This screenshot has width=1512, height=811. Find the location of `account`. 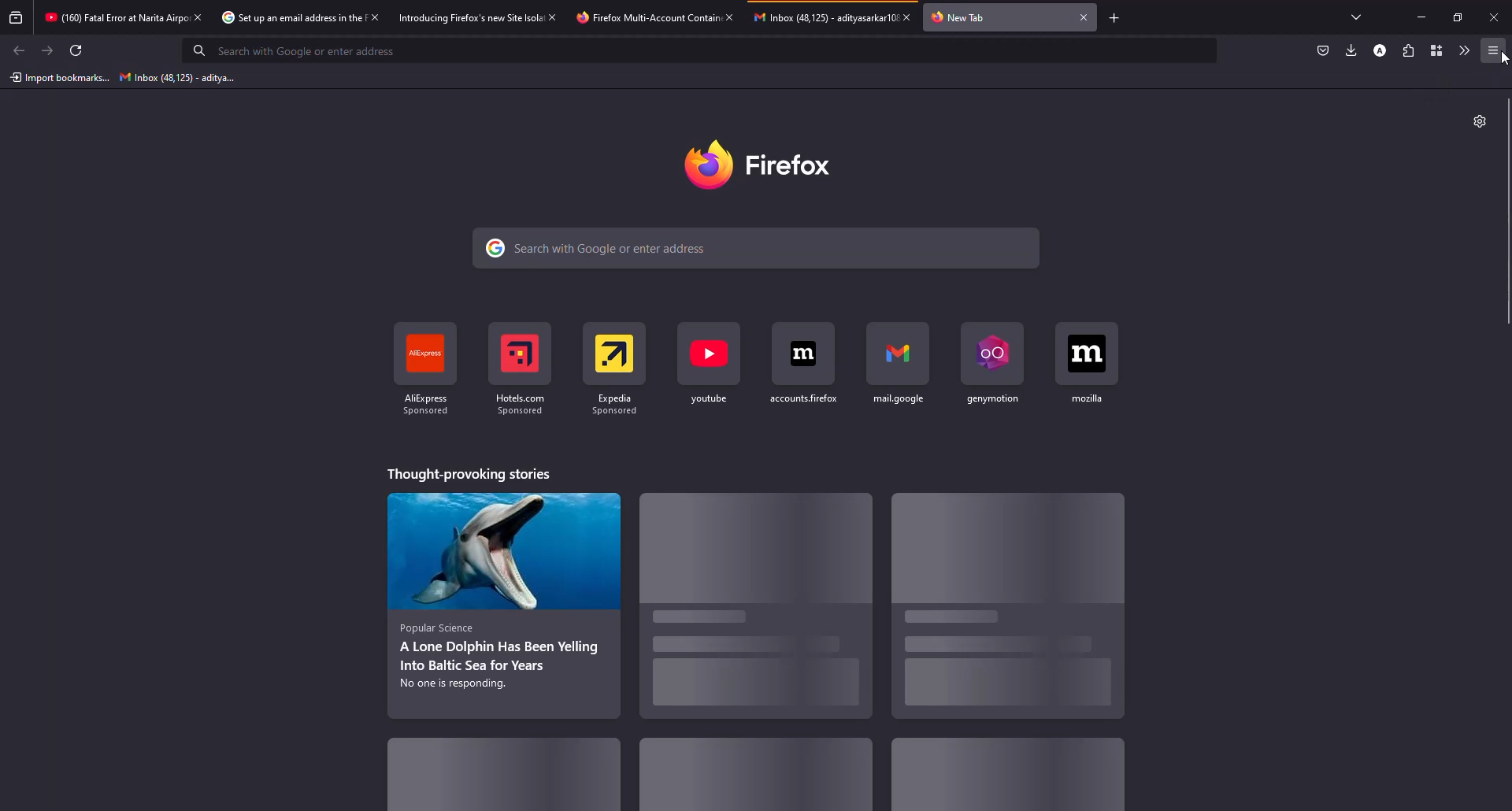

account is located at coordinates (1382, 50).